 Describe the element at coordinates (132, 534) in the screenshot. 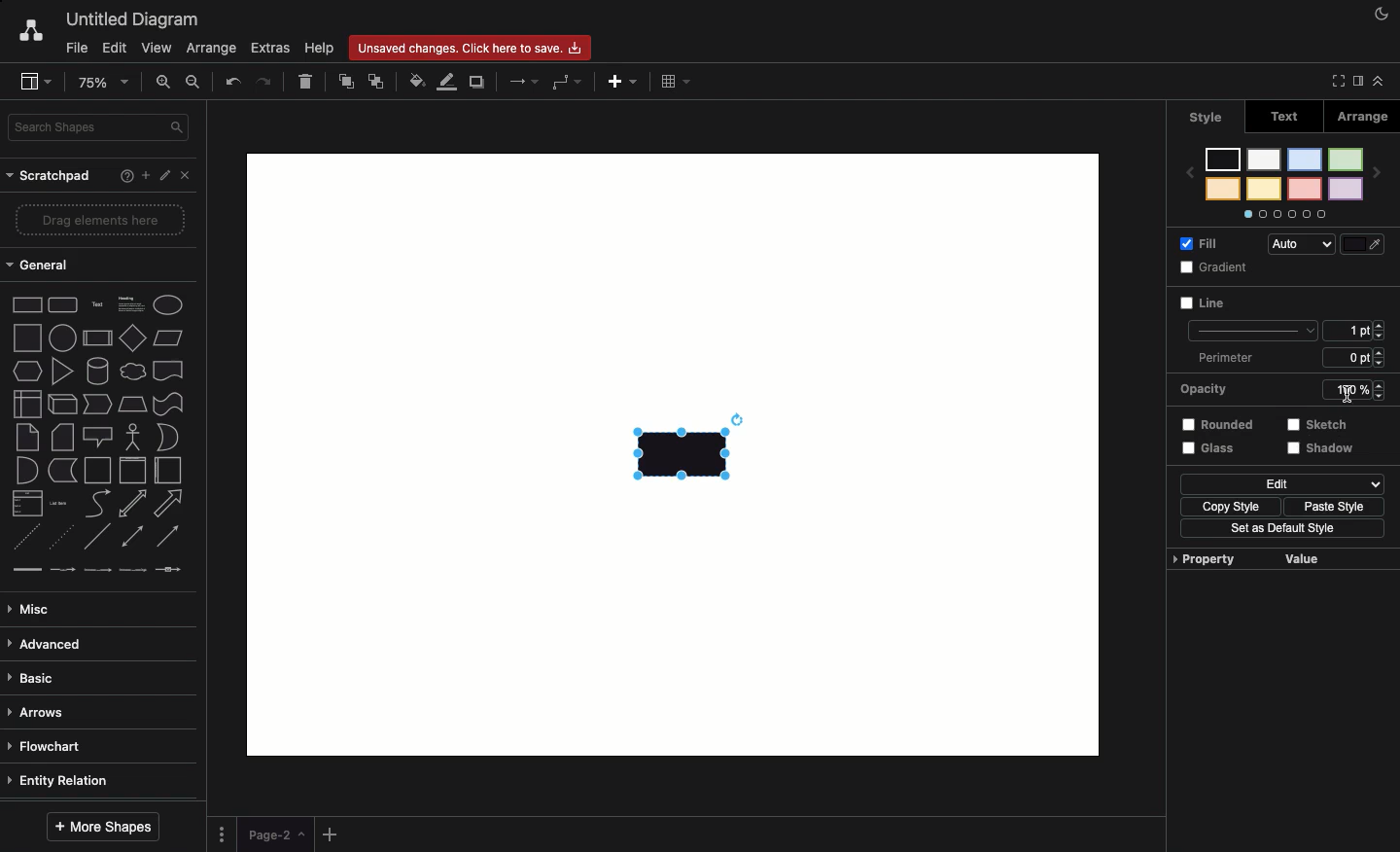

I see `bidirectional connector` at that location.